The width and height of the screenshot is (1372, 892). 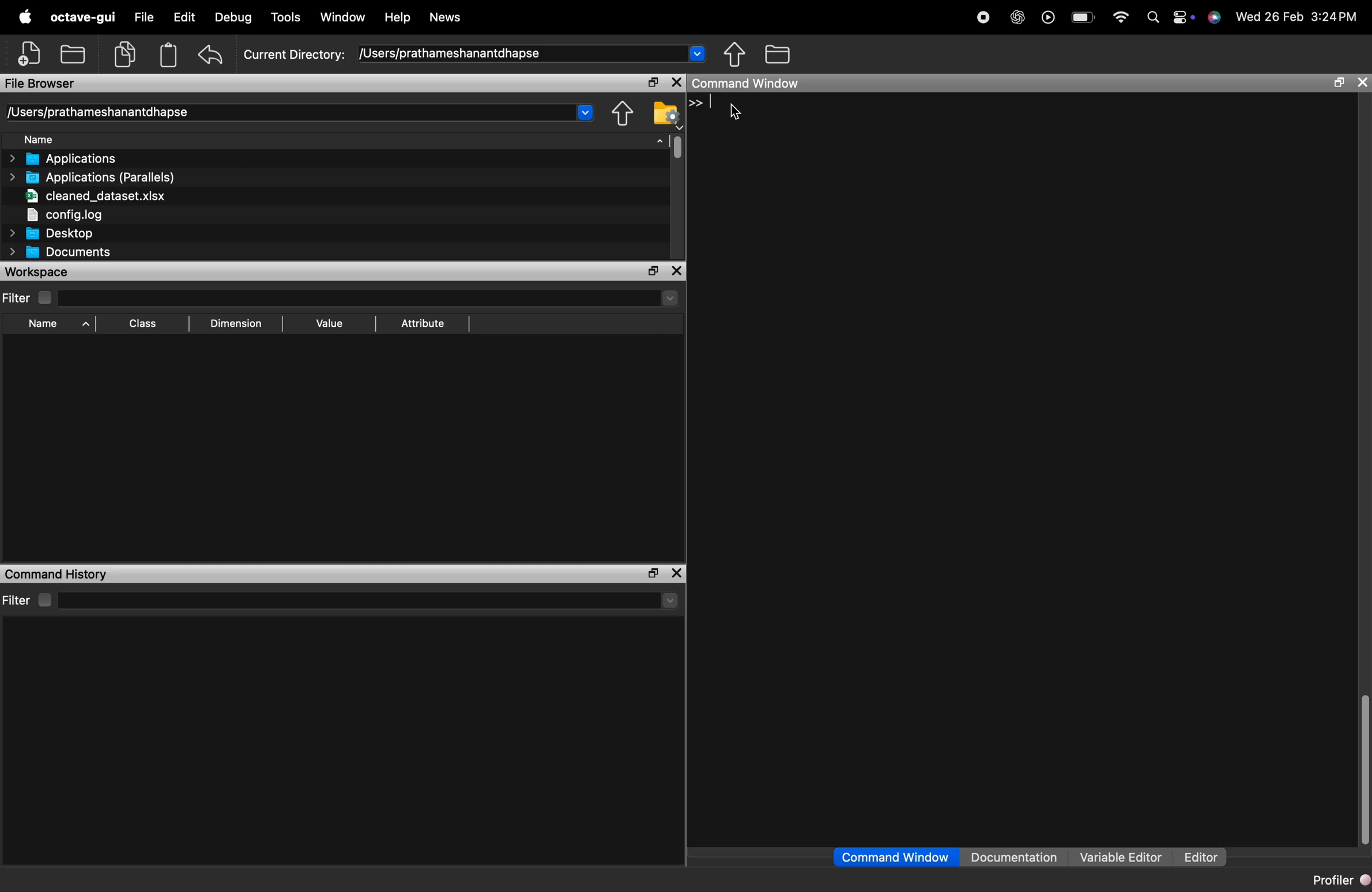 What do you see at coordinates (678, 272) in the screenshot?
I see `Close` at bounding box center [678, 272].